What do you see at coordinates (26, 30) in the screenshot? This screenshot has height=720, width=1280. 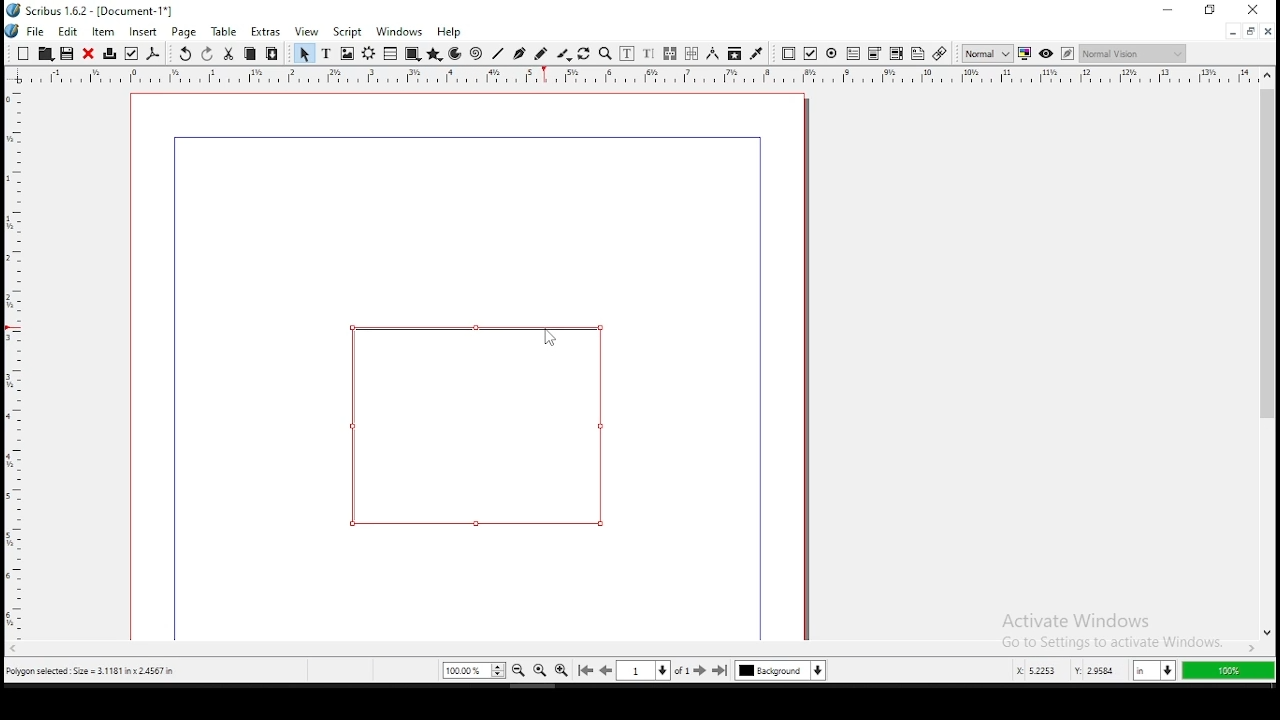 I see `file` at bounding box center [26, 30].